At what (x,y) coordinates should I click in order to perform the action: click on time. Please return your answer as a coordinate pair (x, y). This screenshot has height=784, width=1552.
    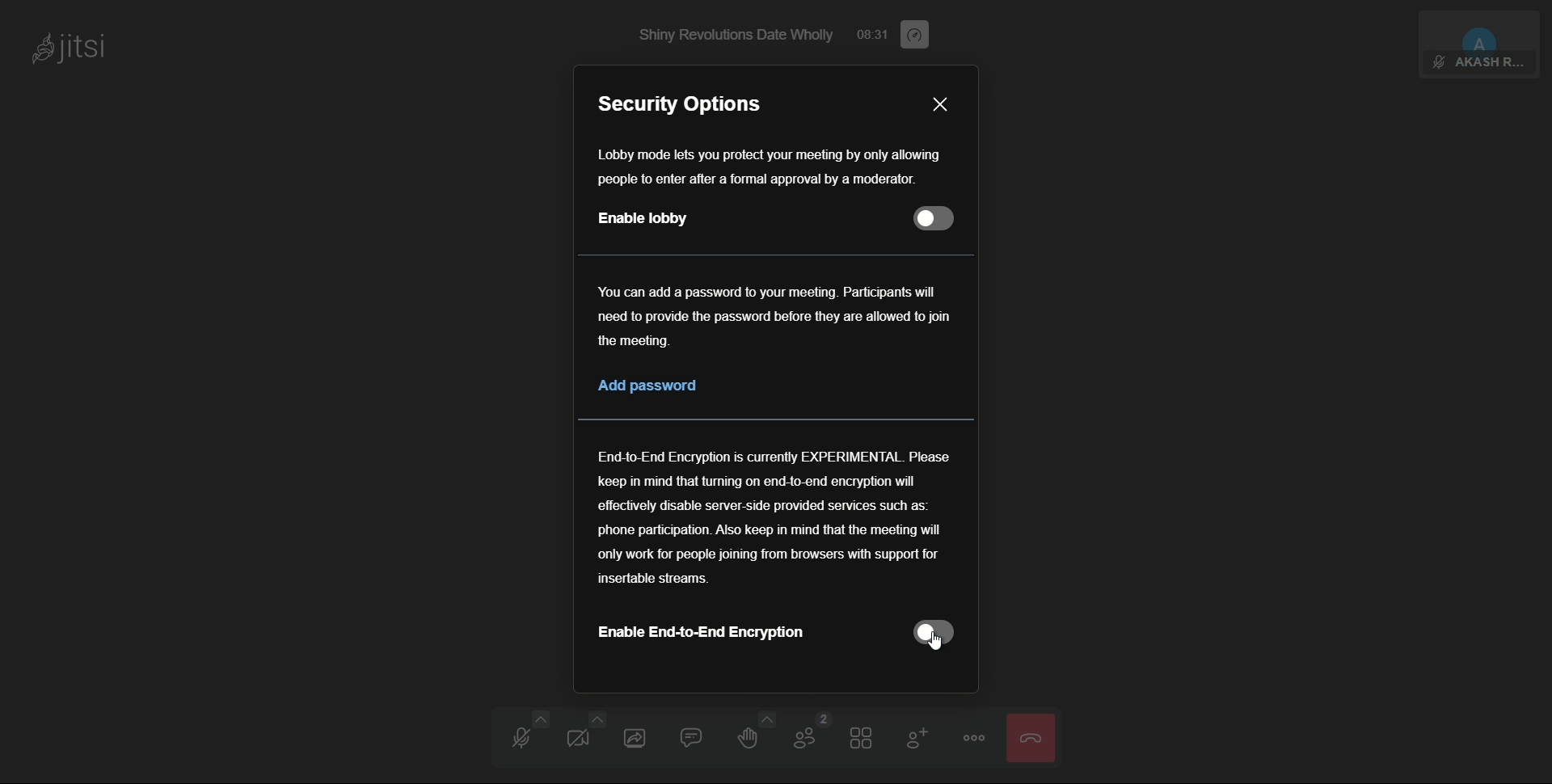
    Looking at the image, I should click on (874, 34).